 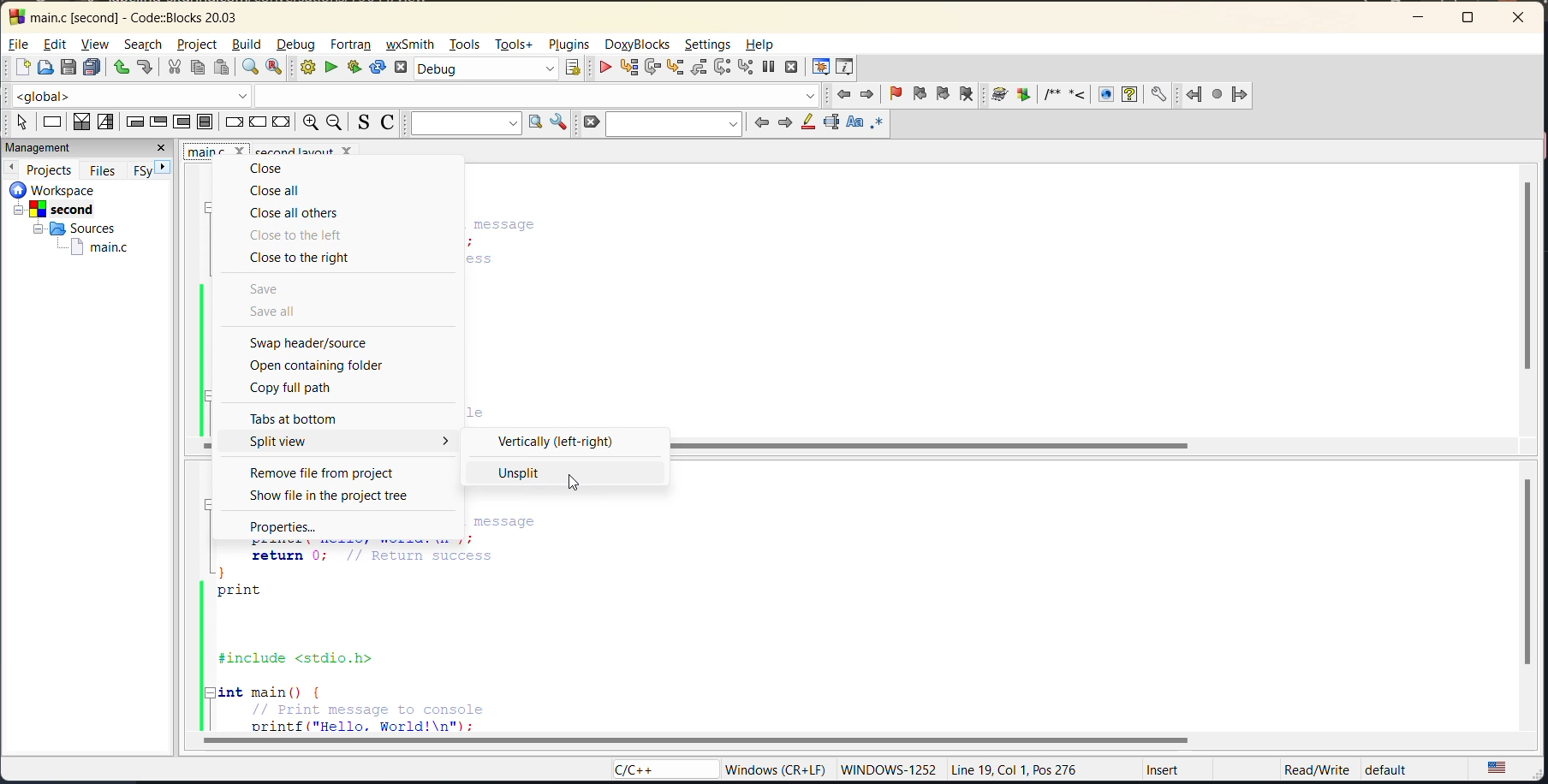 What do you see at coordinates (134, 122) in the screenshot?
I see `entry condition loop` at bounding box center [134, 122].